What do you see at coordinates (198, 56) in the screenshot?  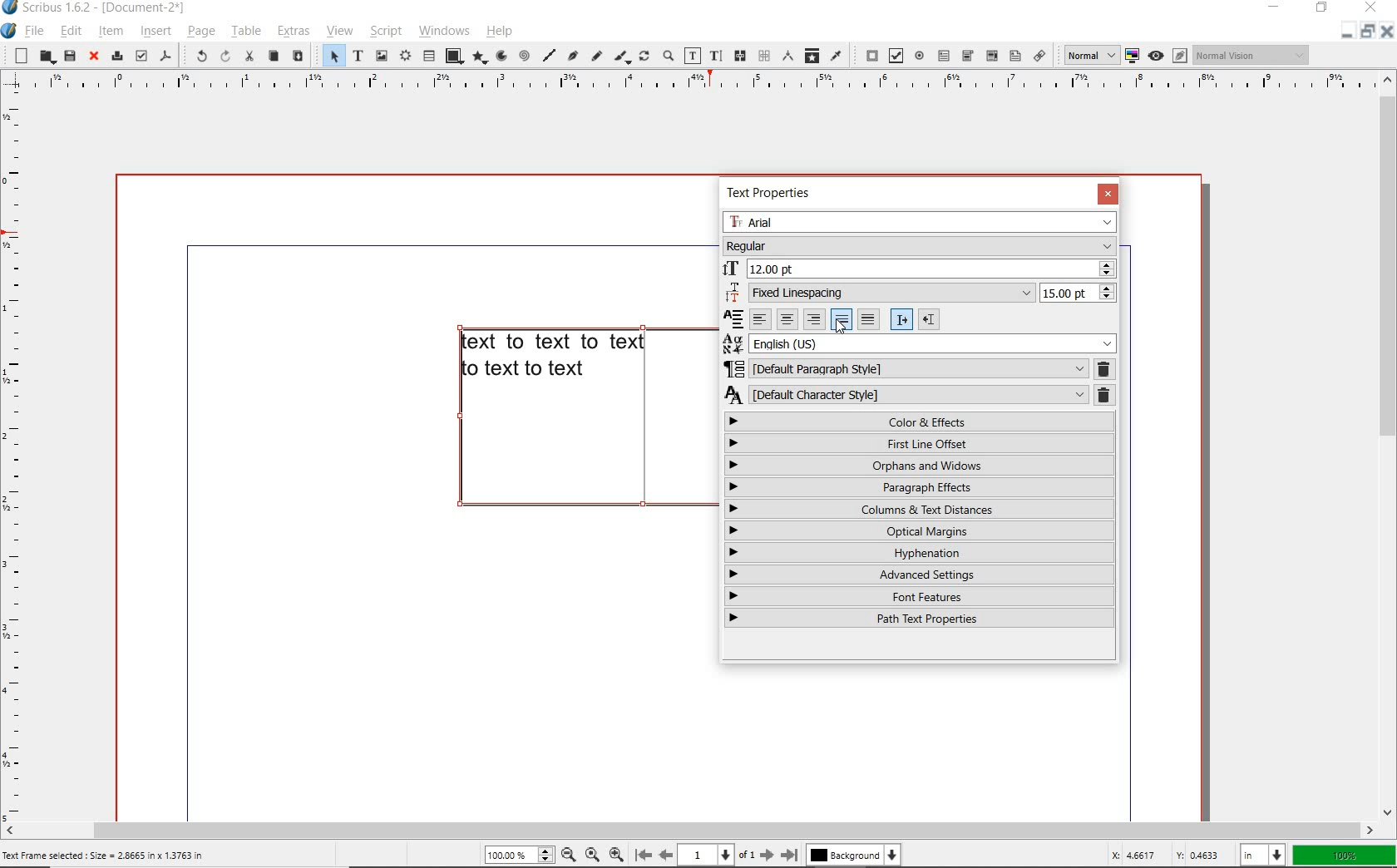 I see `undo` at bounding box center [198, 56].